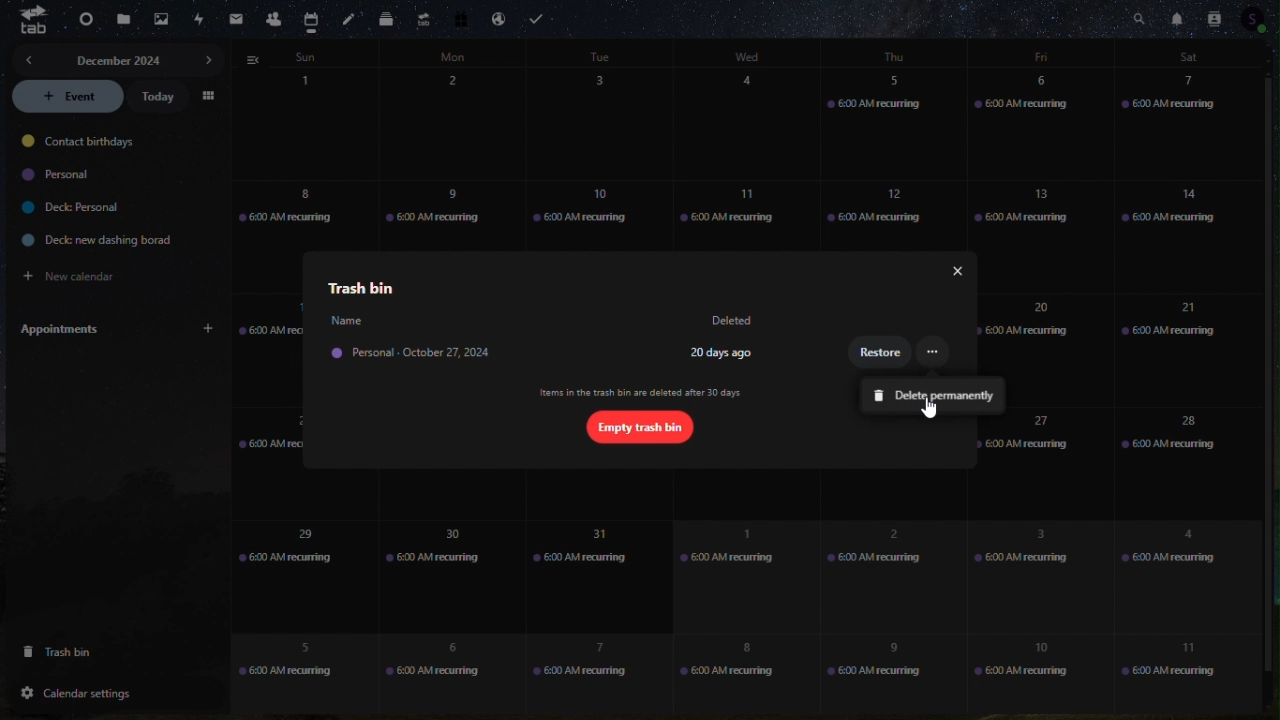 The image size is (1280, 720). What do you see at coordinates (1256, 21) in the screenshot?
I see `Account icon contacts` at bounding box center [1256, 21].